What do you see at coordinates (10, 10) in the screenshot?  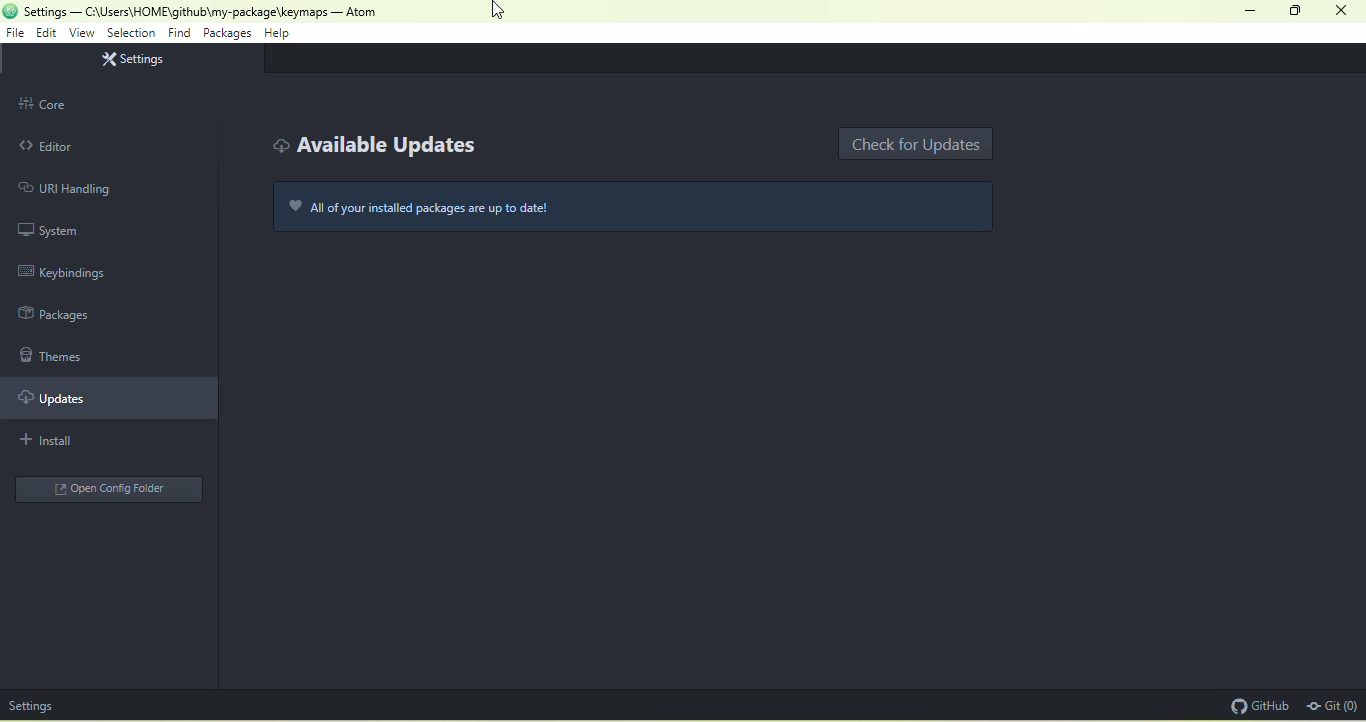 I see `icon` at bounding box center [10, 10].